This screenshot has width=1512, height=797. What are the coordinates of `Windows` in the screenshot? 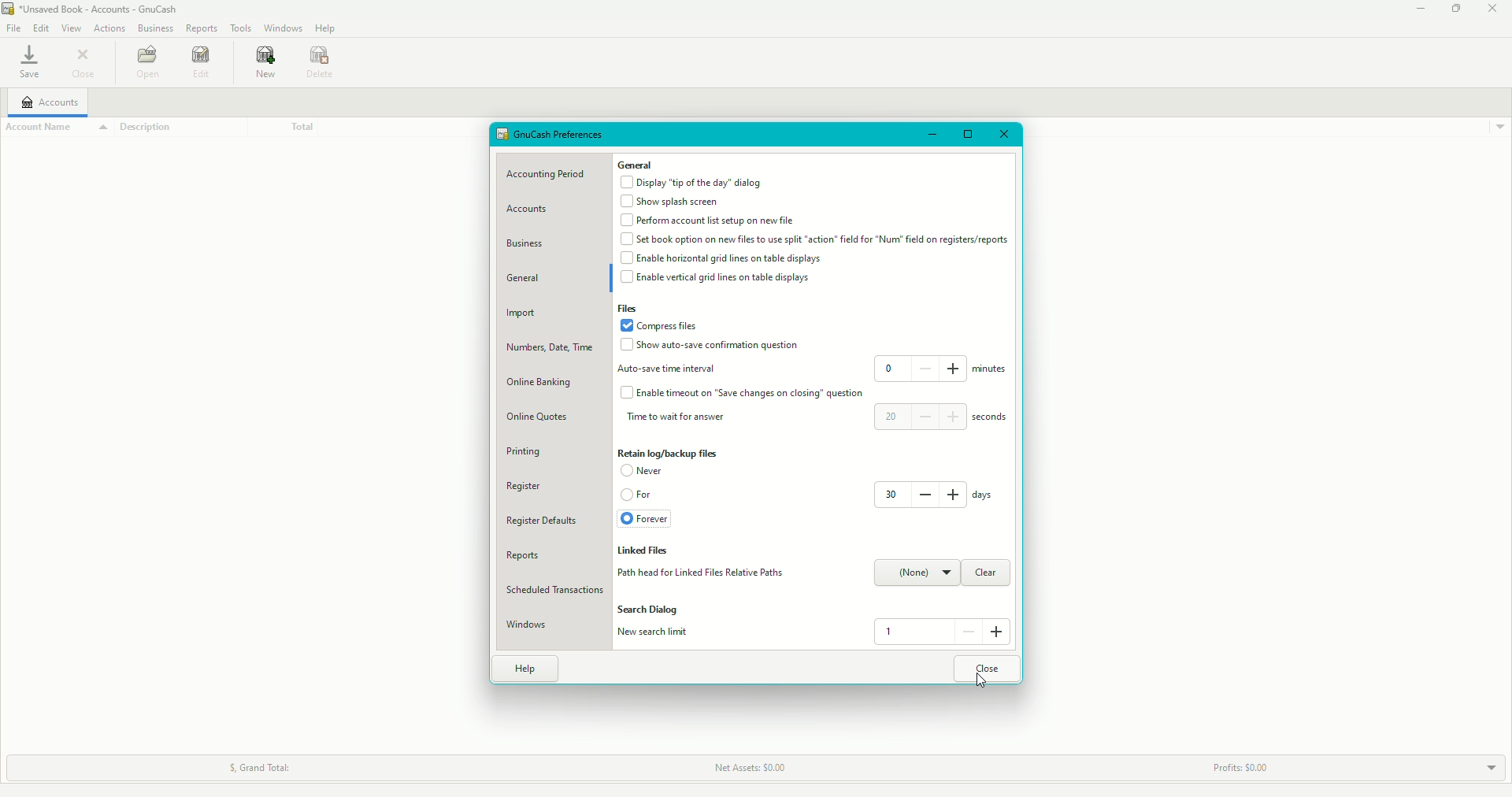 It's located at (527, 625).